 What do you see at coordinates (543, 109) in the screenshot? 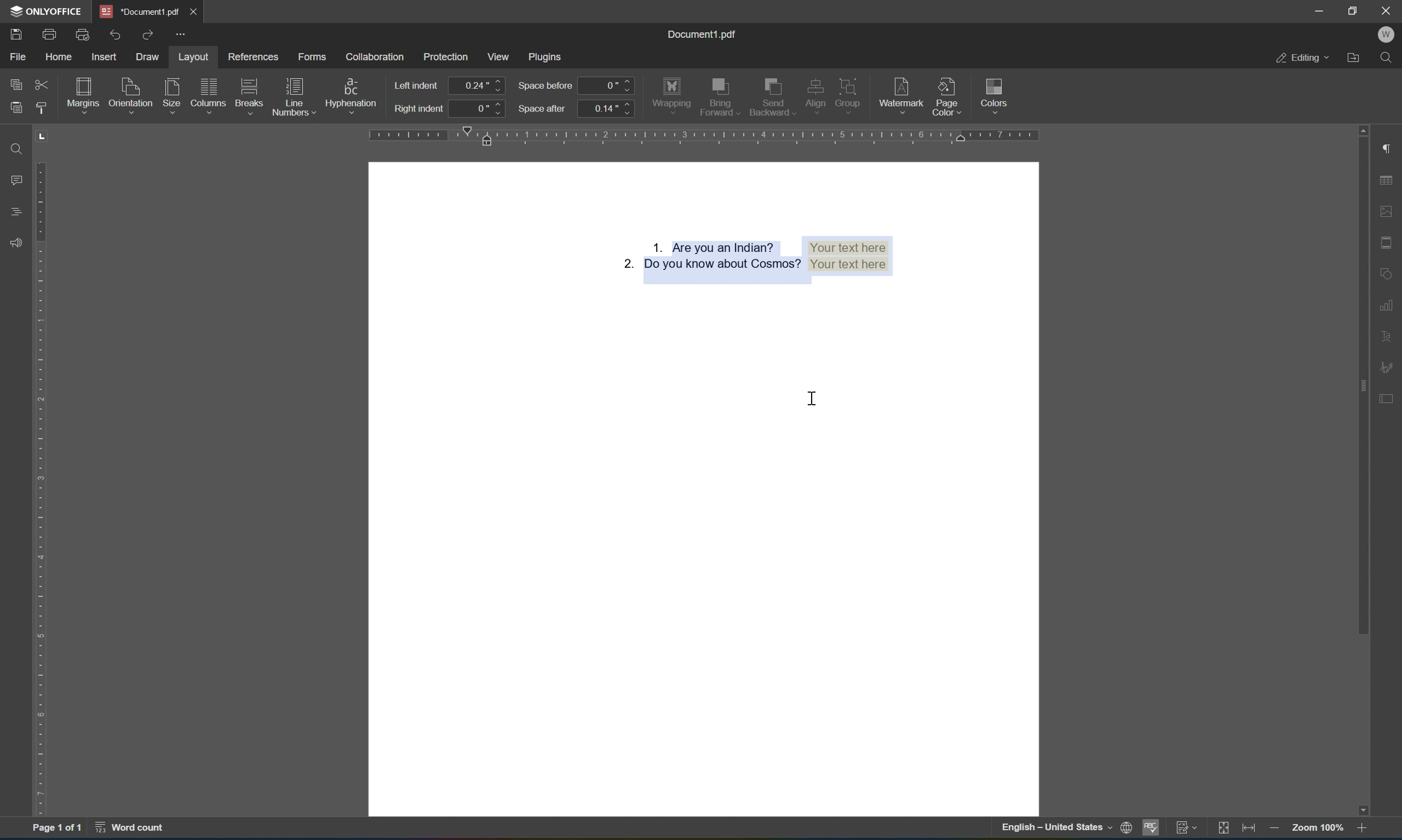
I see `space after` at bounding box center [543, 109].